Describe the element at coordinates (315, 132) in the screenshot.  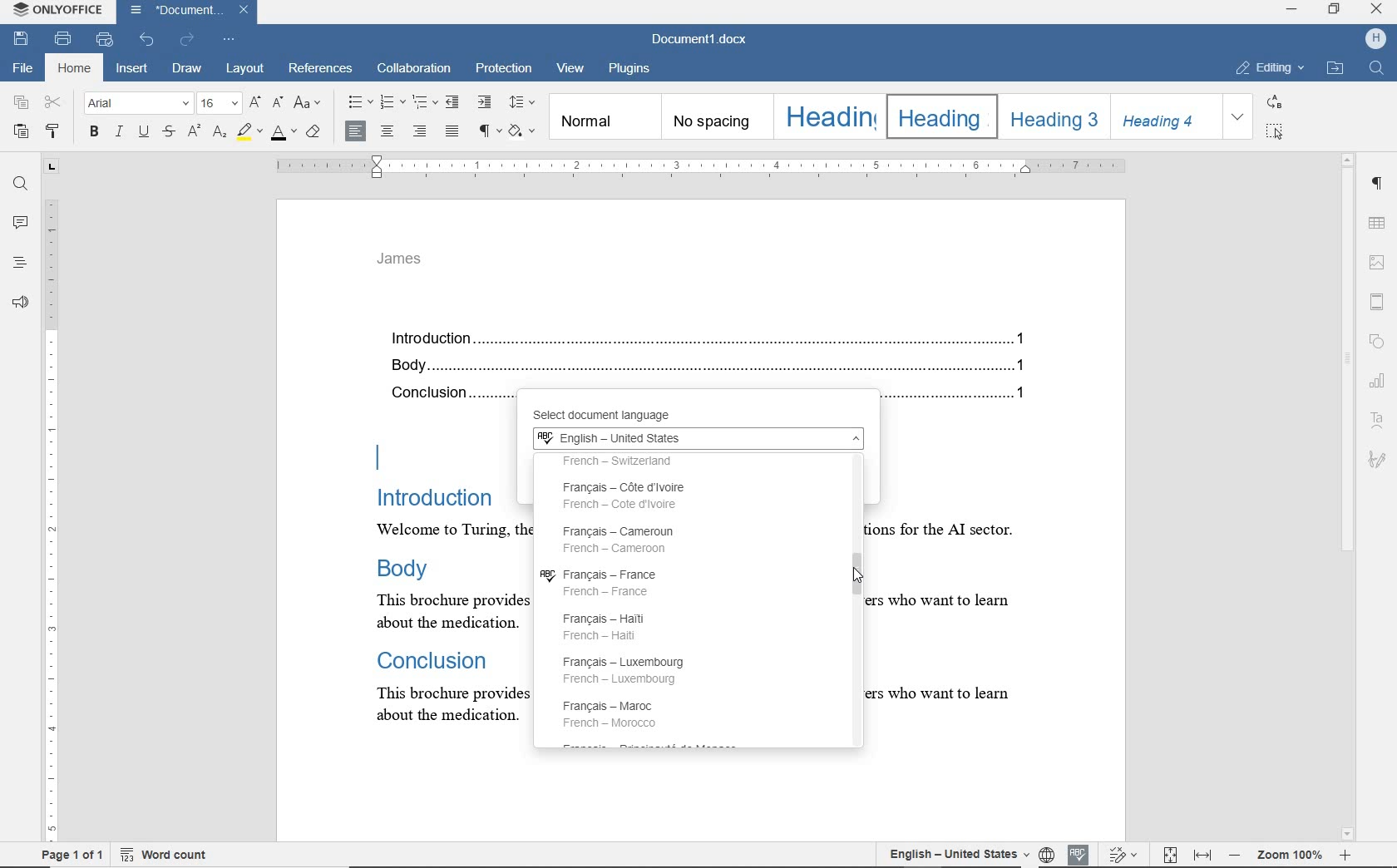
I see `clear style` at that location.